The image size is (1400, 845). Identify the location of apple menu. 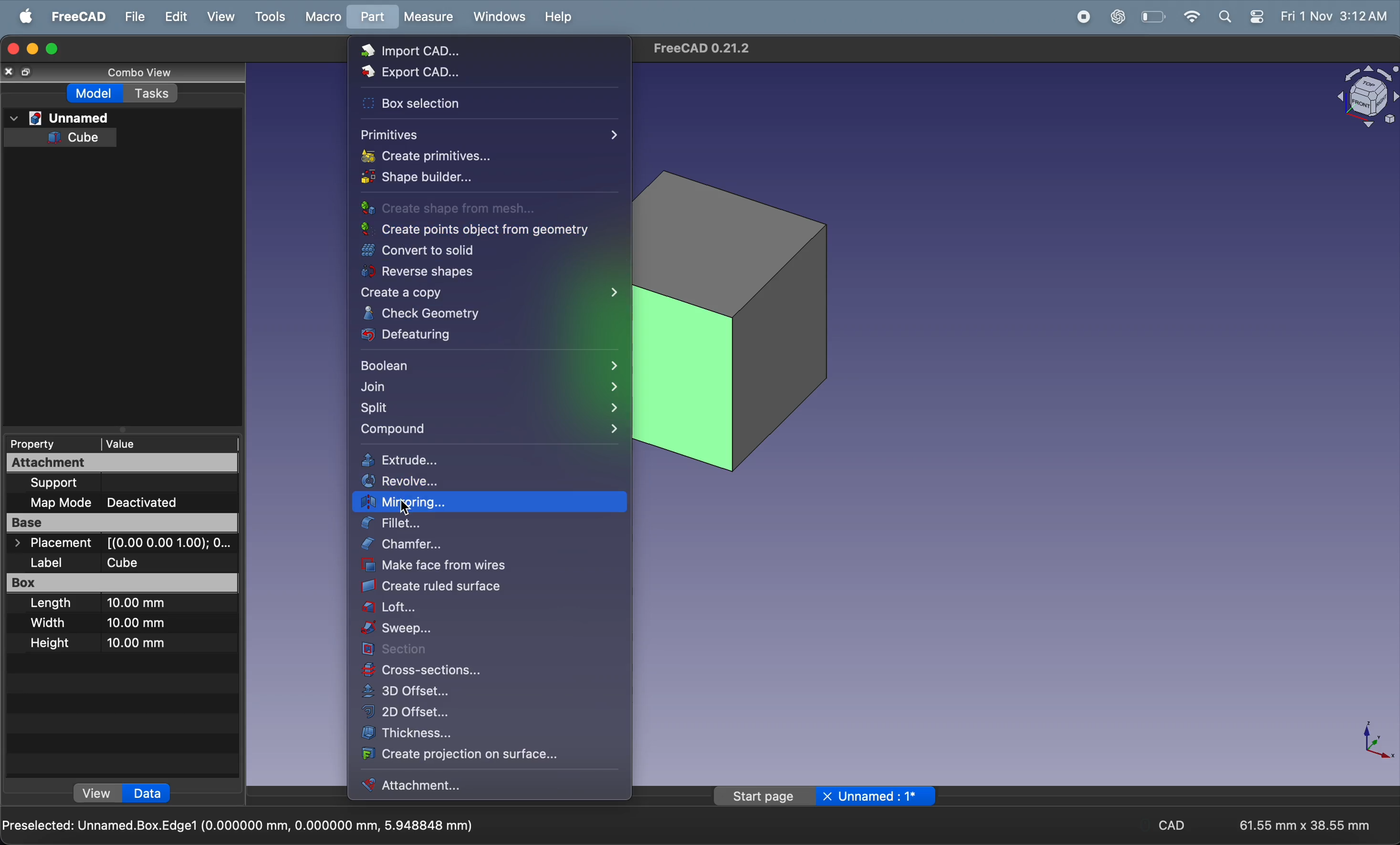
(27, 16).